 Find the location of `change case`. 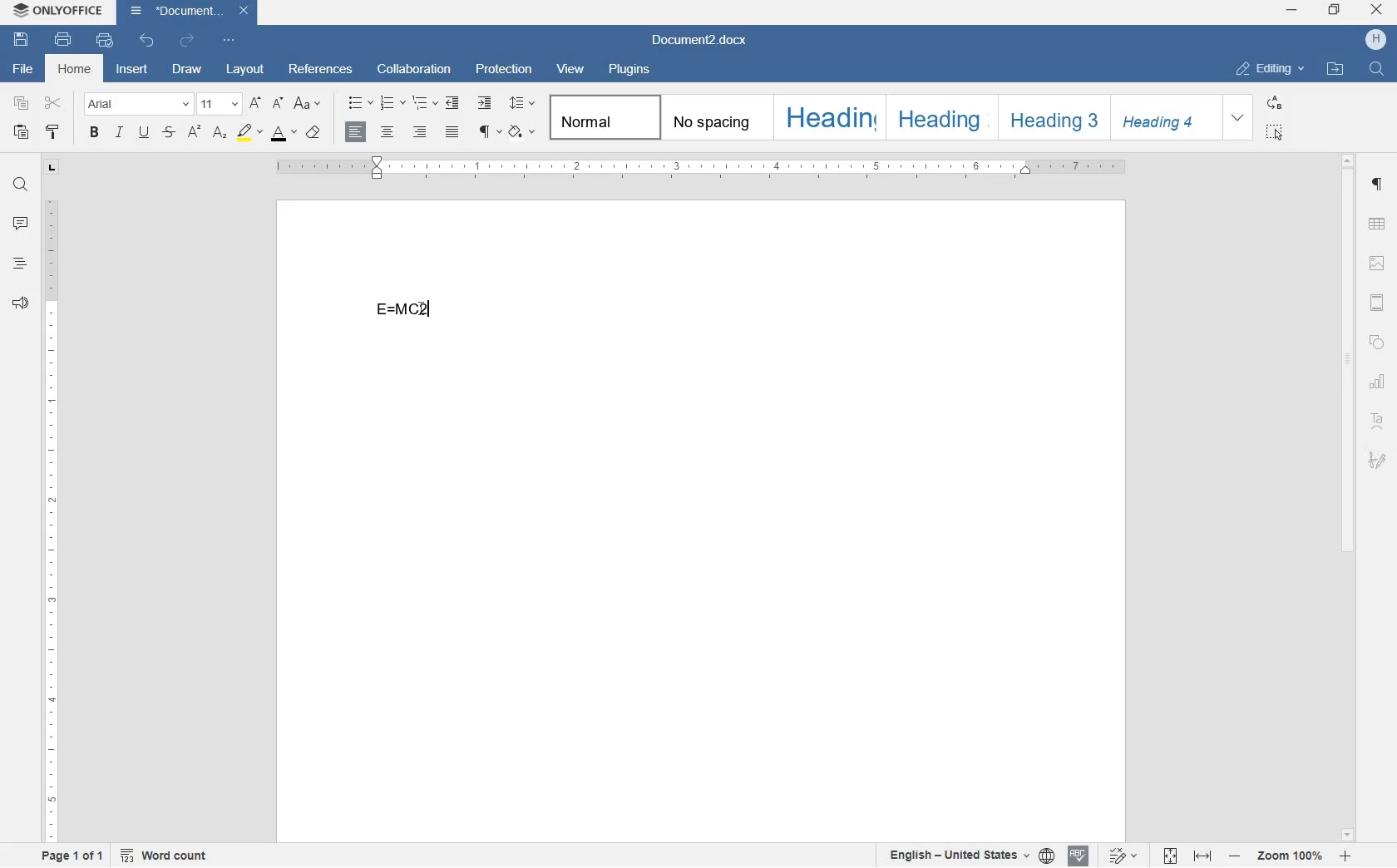

change case is located at coordinates (308, 104).